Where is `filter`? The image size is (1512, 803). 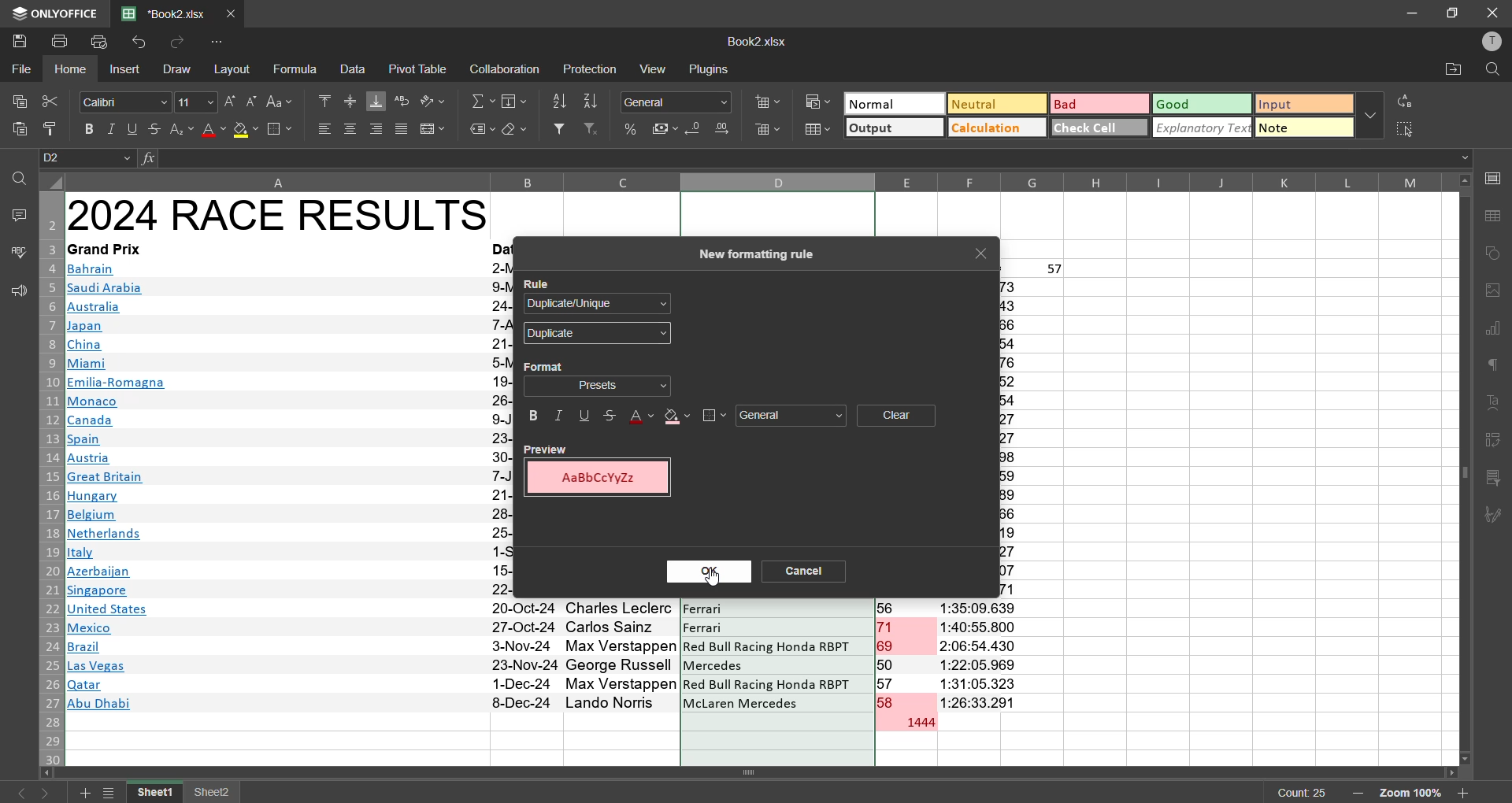 filter is located at coordinates (559, 128).